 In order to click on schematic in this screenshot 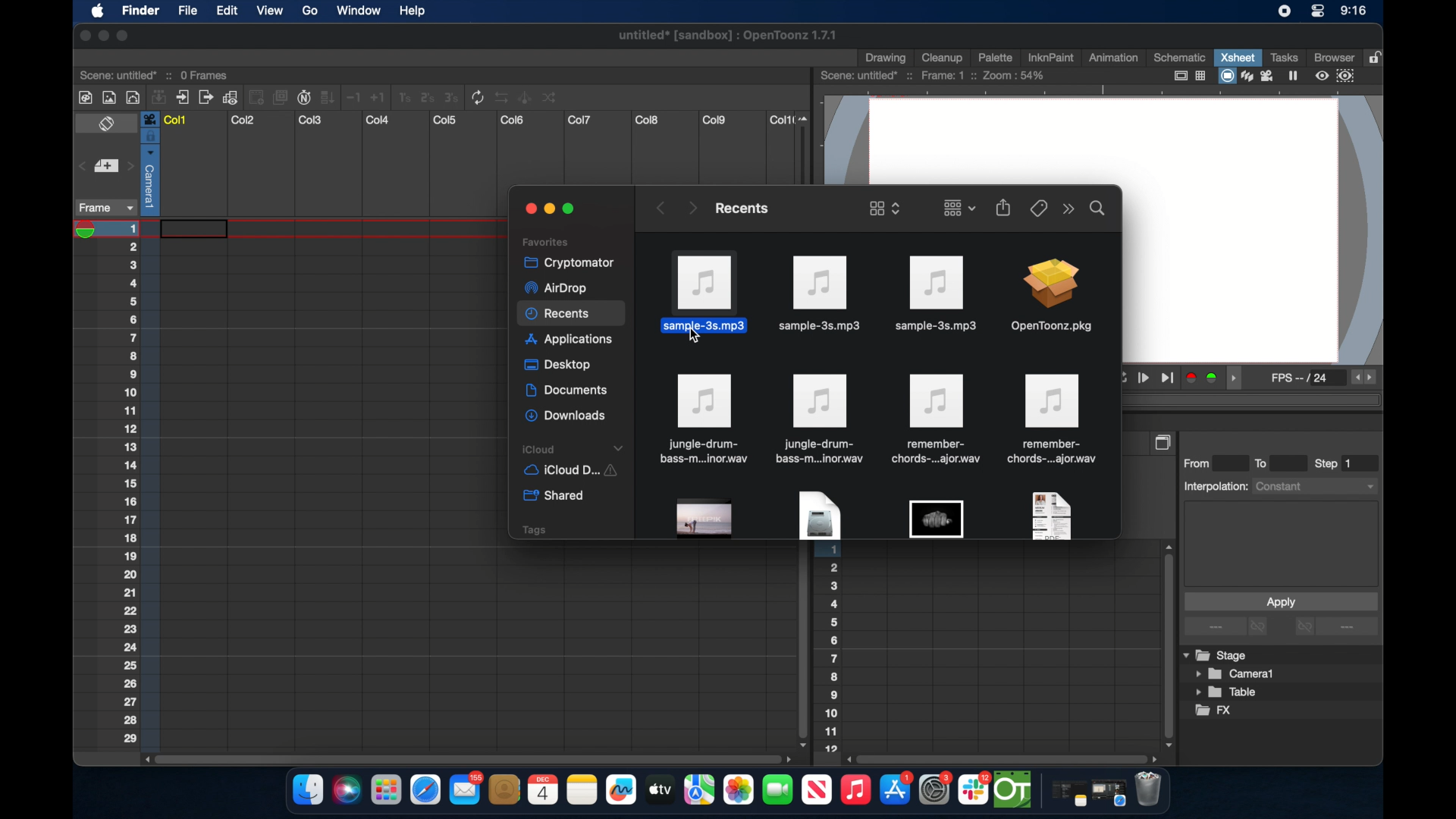, I will do `click(1180, 57)`.